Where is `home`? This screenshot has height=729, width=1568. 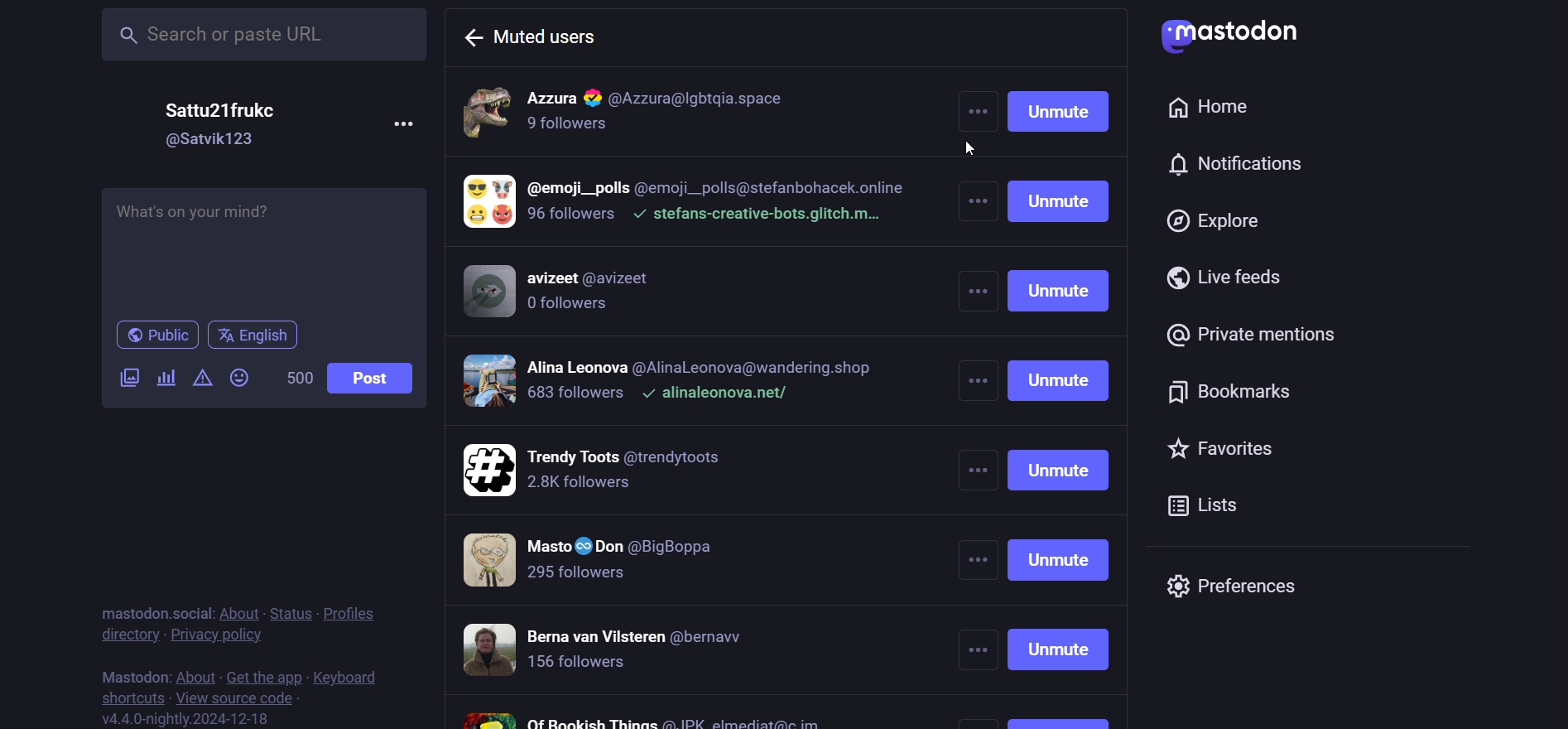
home is located at coordinates (1210, 107).